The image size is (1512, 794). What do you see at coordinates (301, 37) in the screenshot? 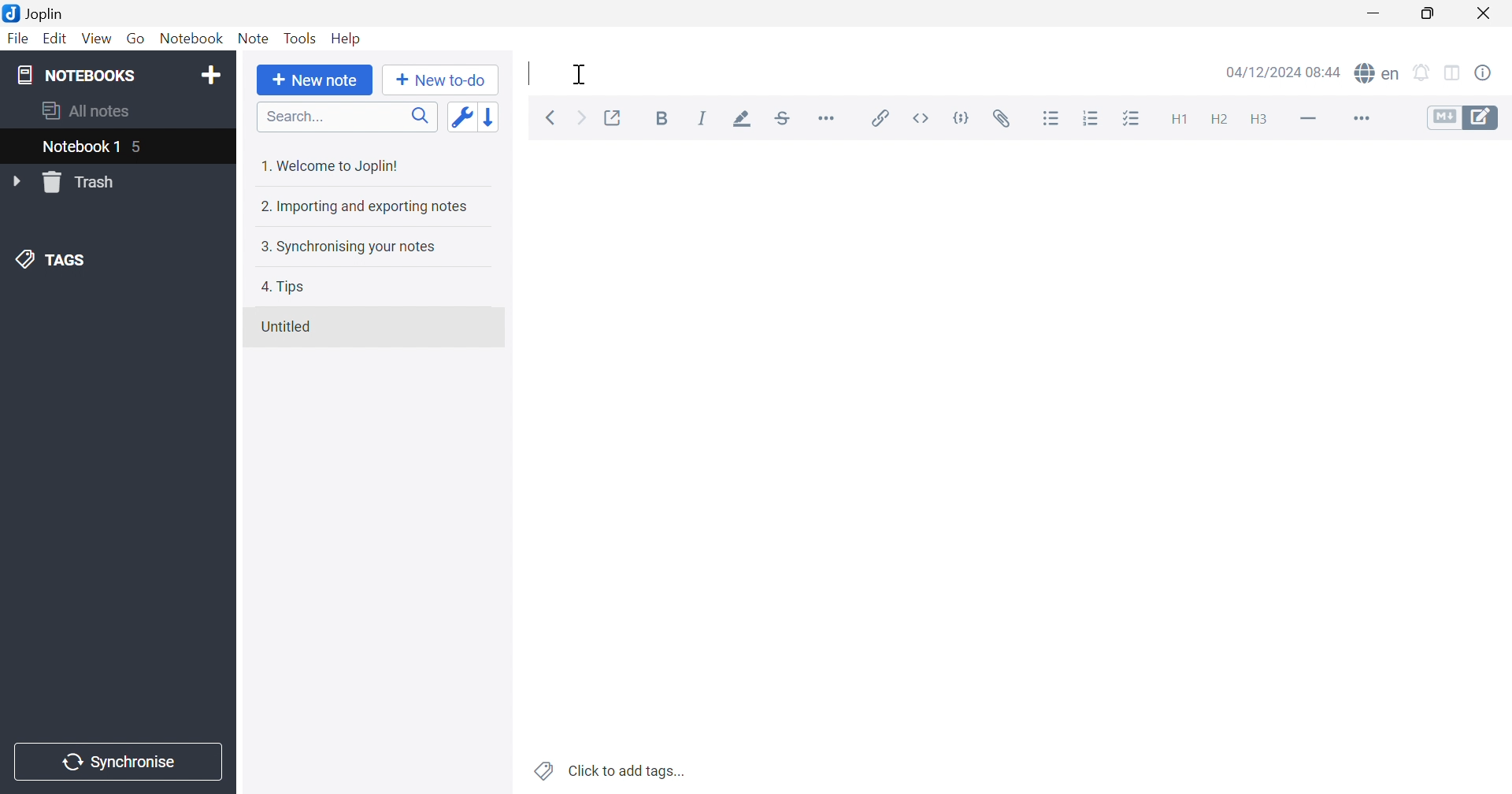
I see `Tools` at bounding box center [301, 37].